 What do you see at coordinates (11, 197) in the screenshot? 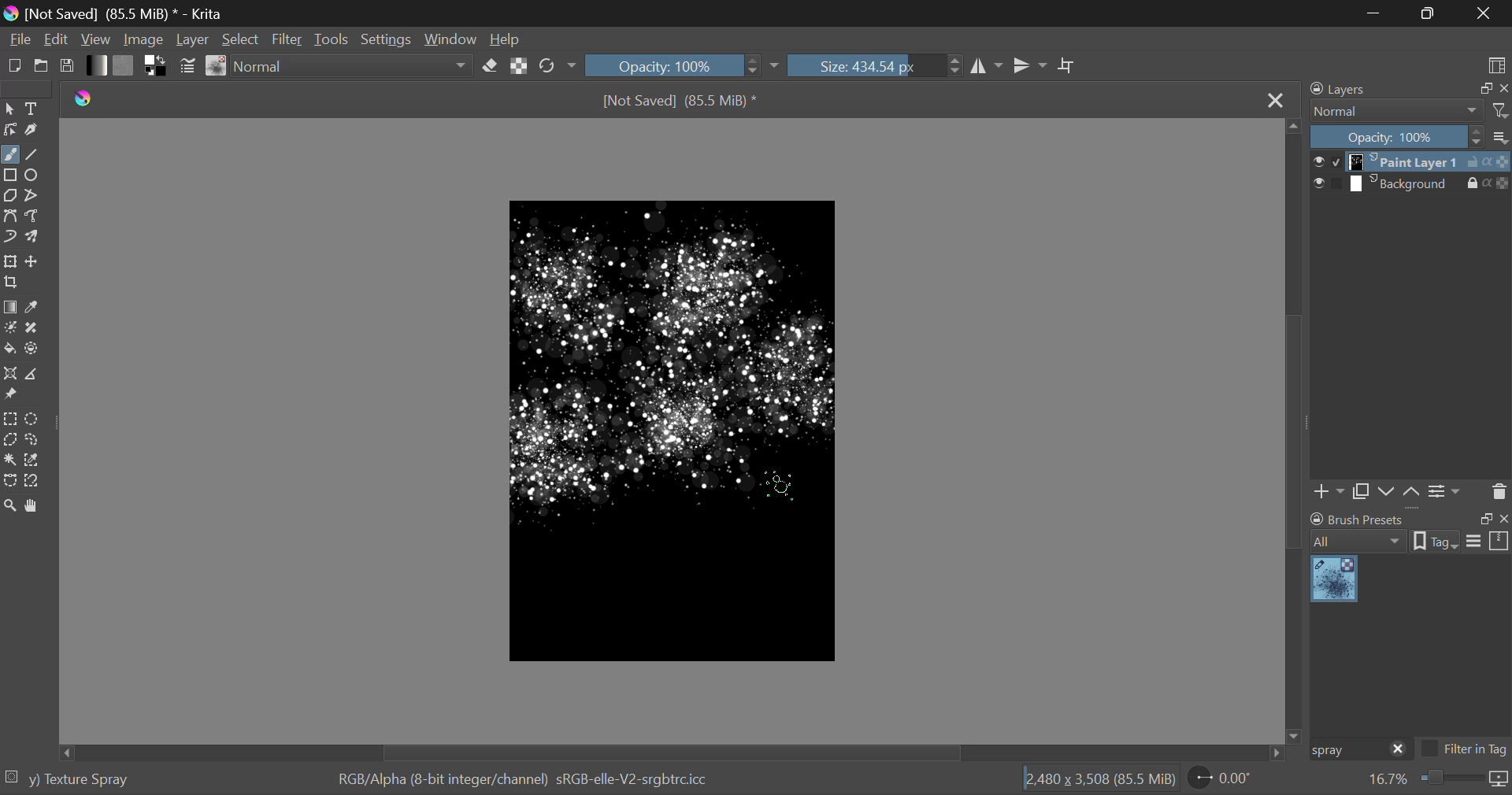
I see `Polygon` at bounding box center [11, 197].